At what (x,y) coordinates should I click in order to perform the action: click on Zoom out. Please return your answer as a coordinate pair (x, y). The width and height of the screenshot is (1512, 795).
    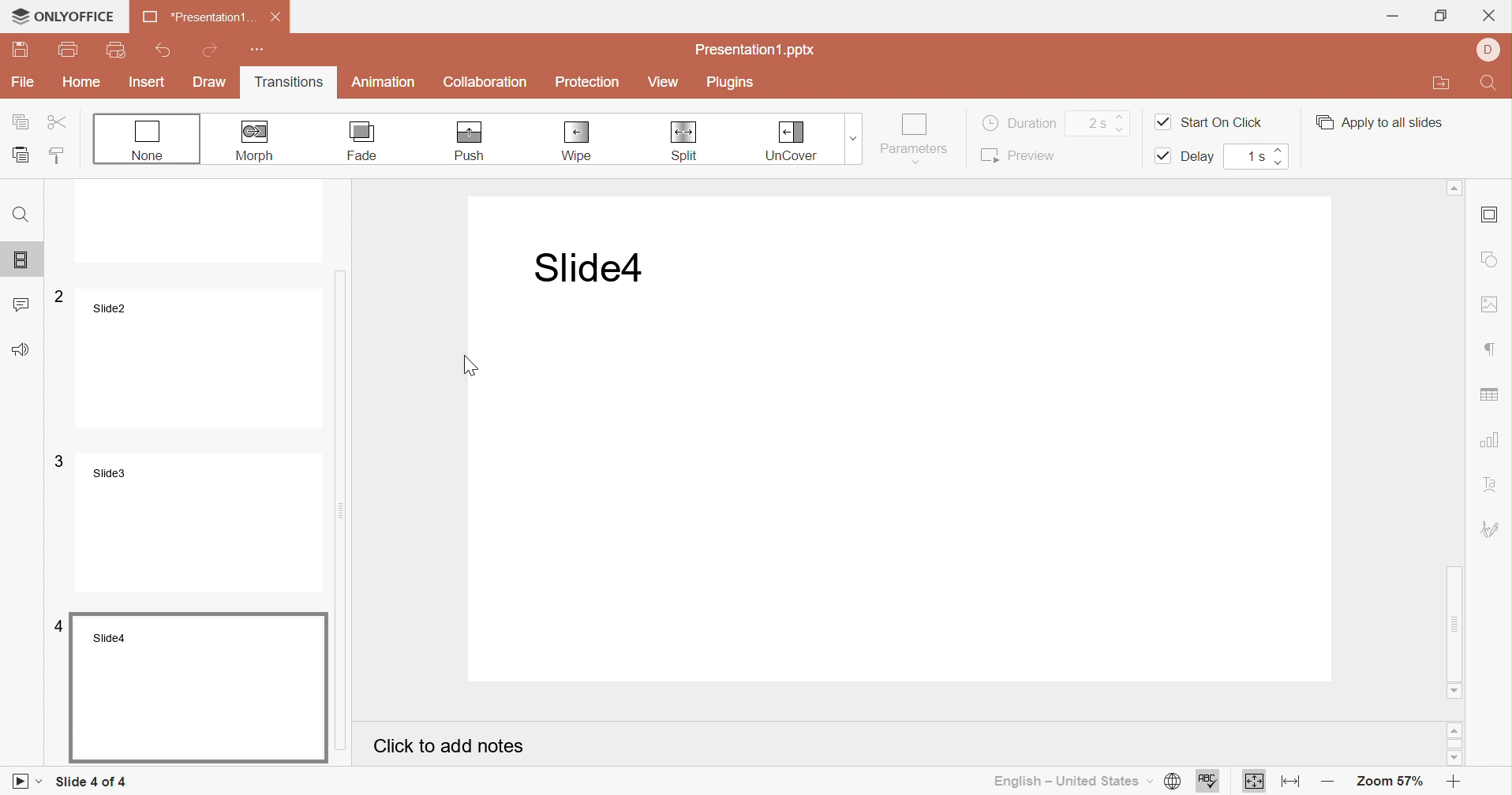
    Looking at the image, I should click on (1324, 783).